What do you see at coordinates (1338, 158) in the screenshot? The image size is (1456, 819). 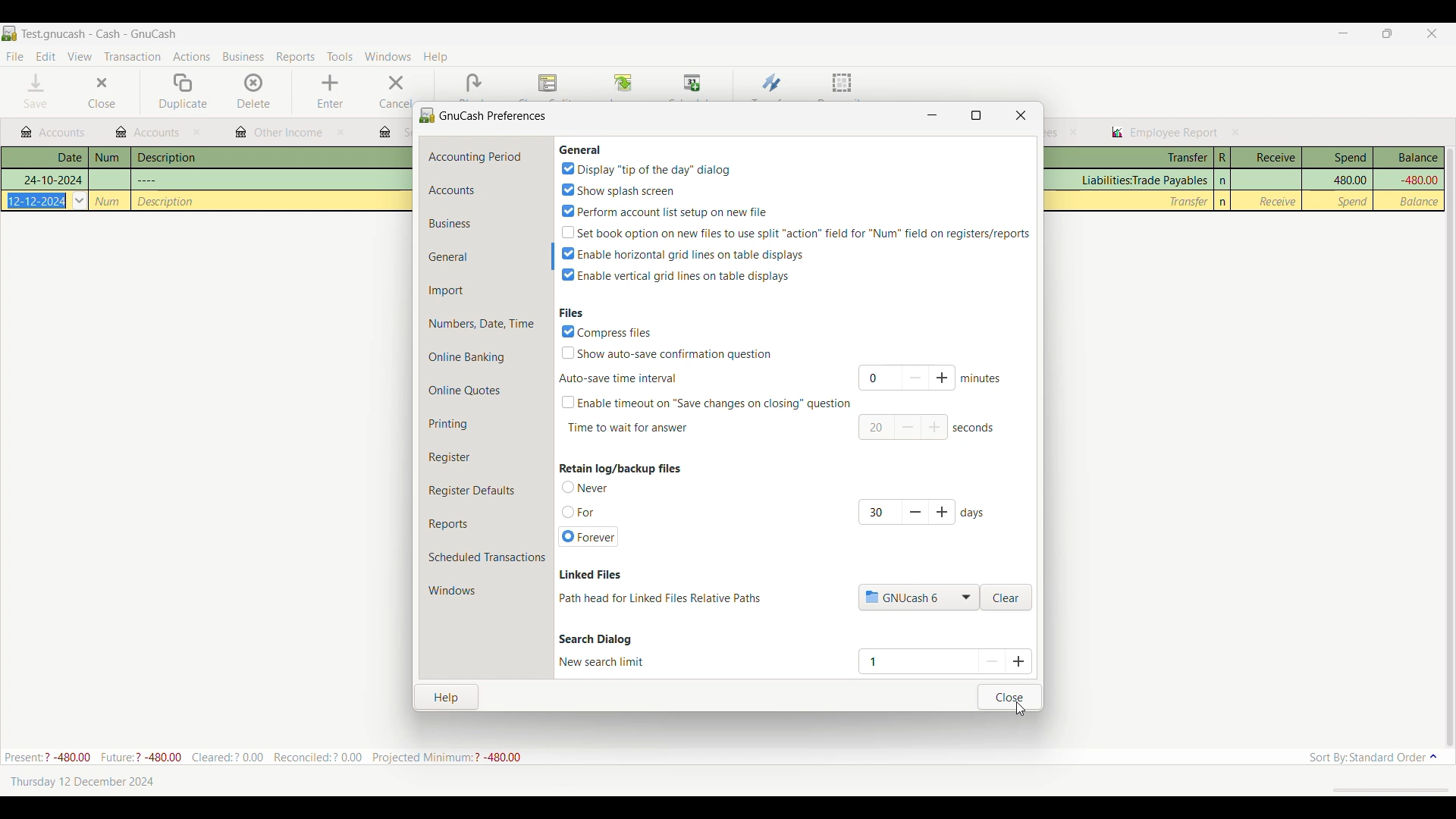 I see `Spend column` at bounding box center [1338, 158].